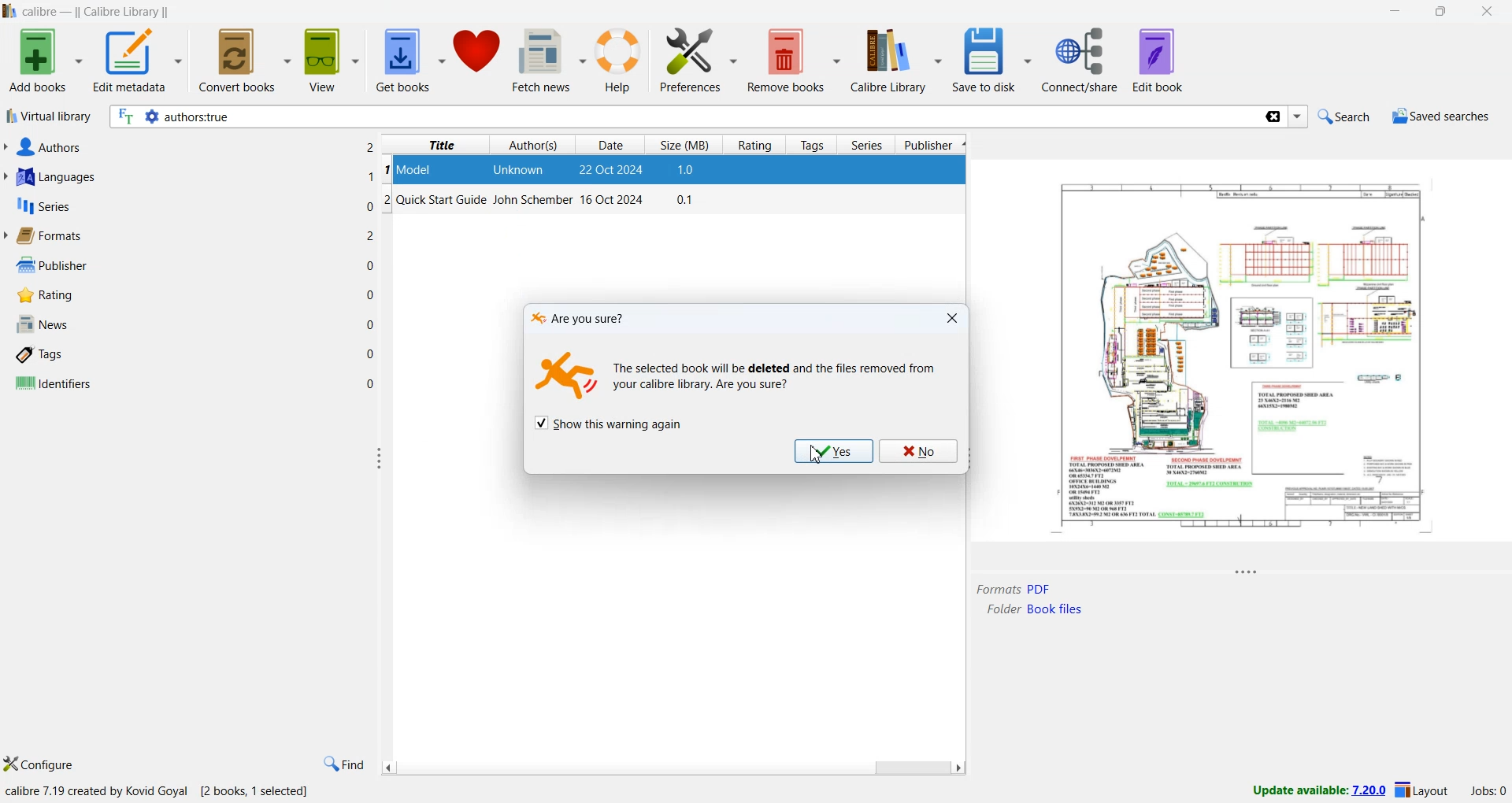 The width and height of the screenshot is (1512, 803). What do you see at coordinates (46, 147) in the screenshot?
I see `authors` at bounding box center [46, 147].